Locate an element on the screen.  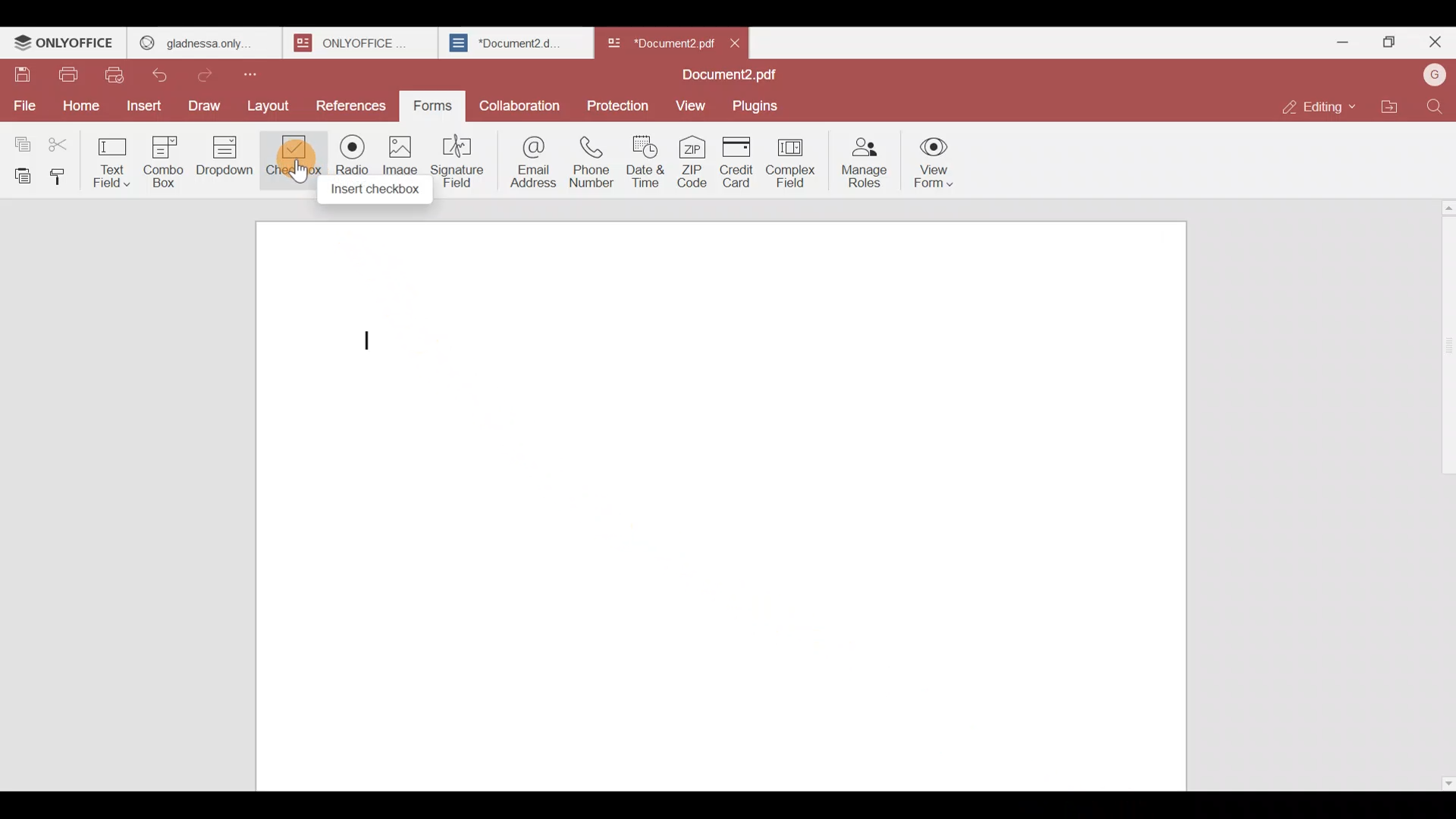
Document2.d is located at coordinates (515, 47).